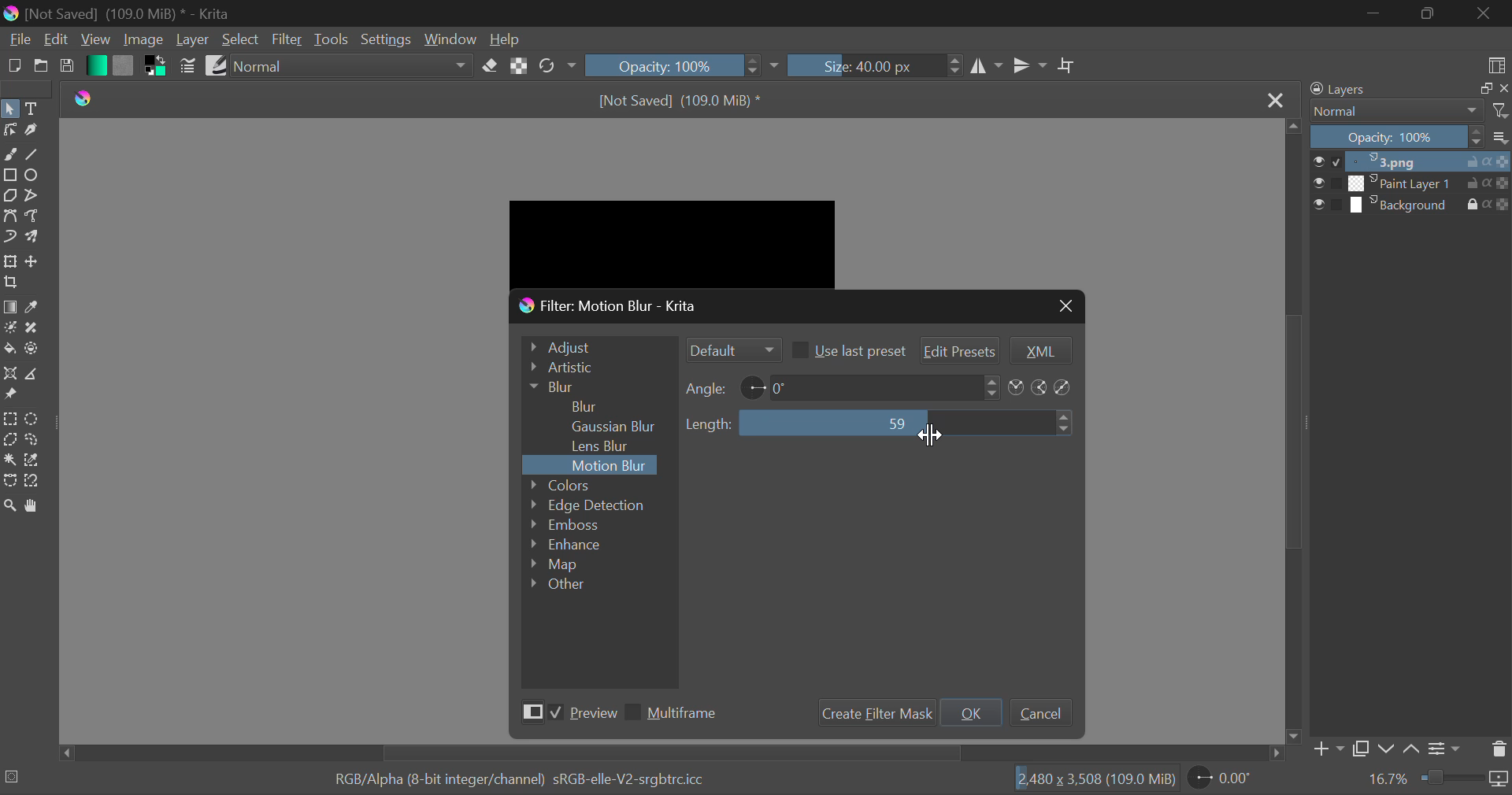 Image resolution: width=1512 pixels, height=795 pixels. Describe the element at coordinates (661, 65) in the screenshot. I see `Opacity: 100%` at that location.